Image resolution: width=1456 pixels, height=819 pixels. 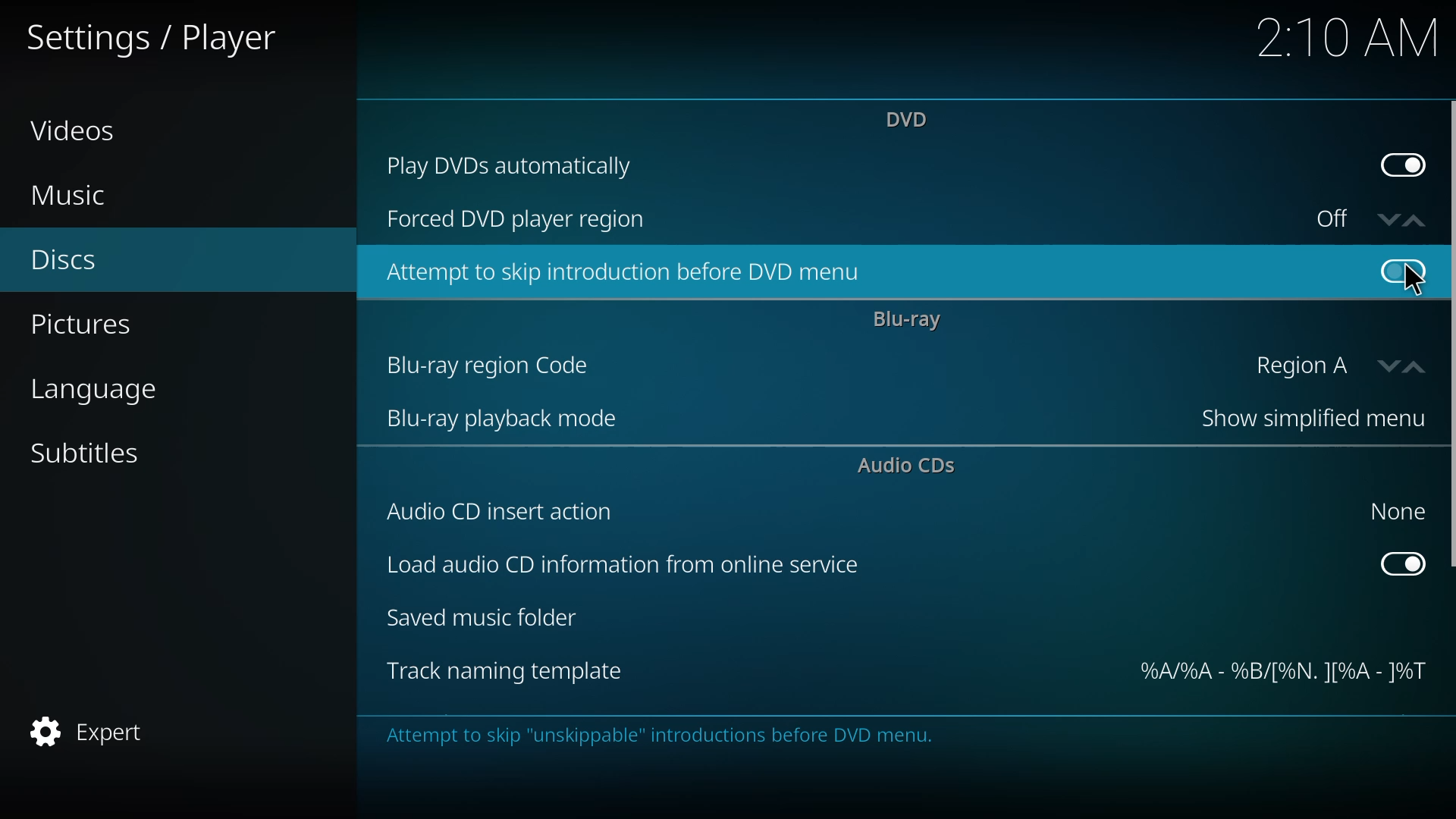 I want to click on pictures, so click(x=91, y=324).